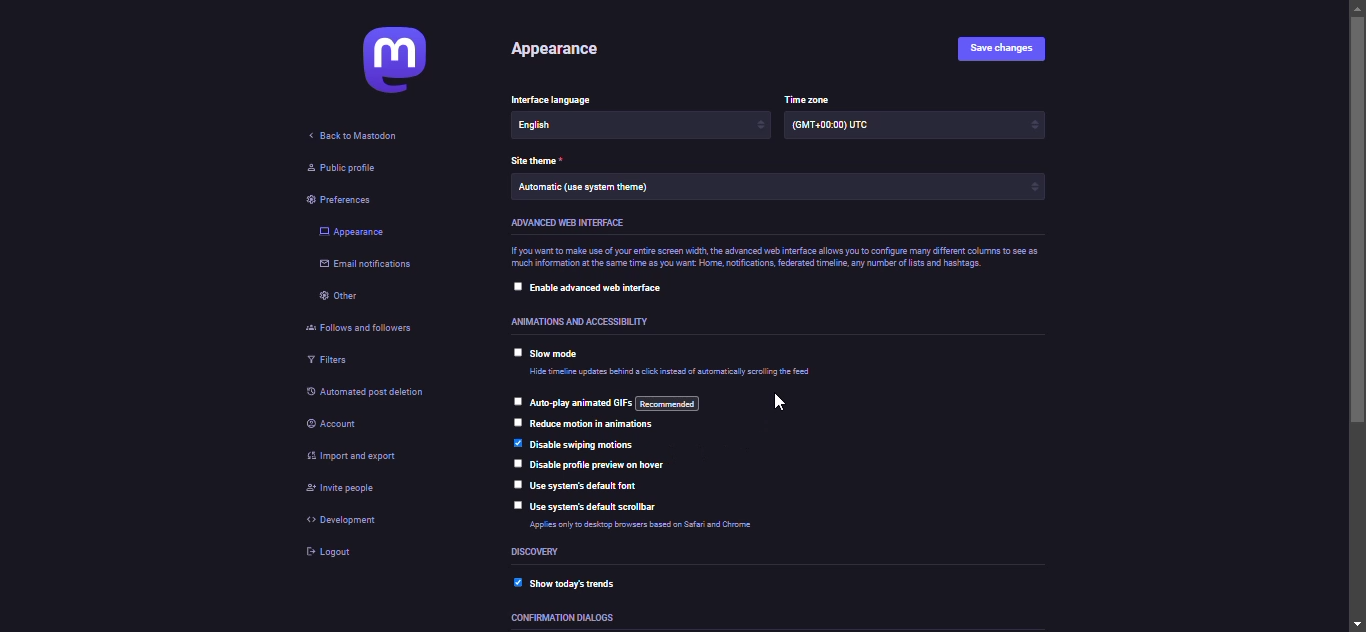  What do you see at coordinates (599, 507) in the screenshot?
I see `use system's default scrollbar` at bounding box center [599, 507].